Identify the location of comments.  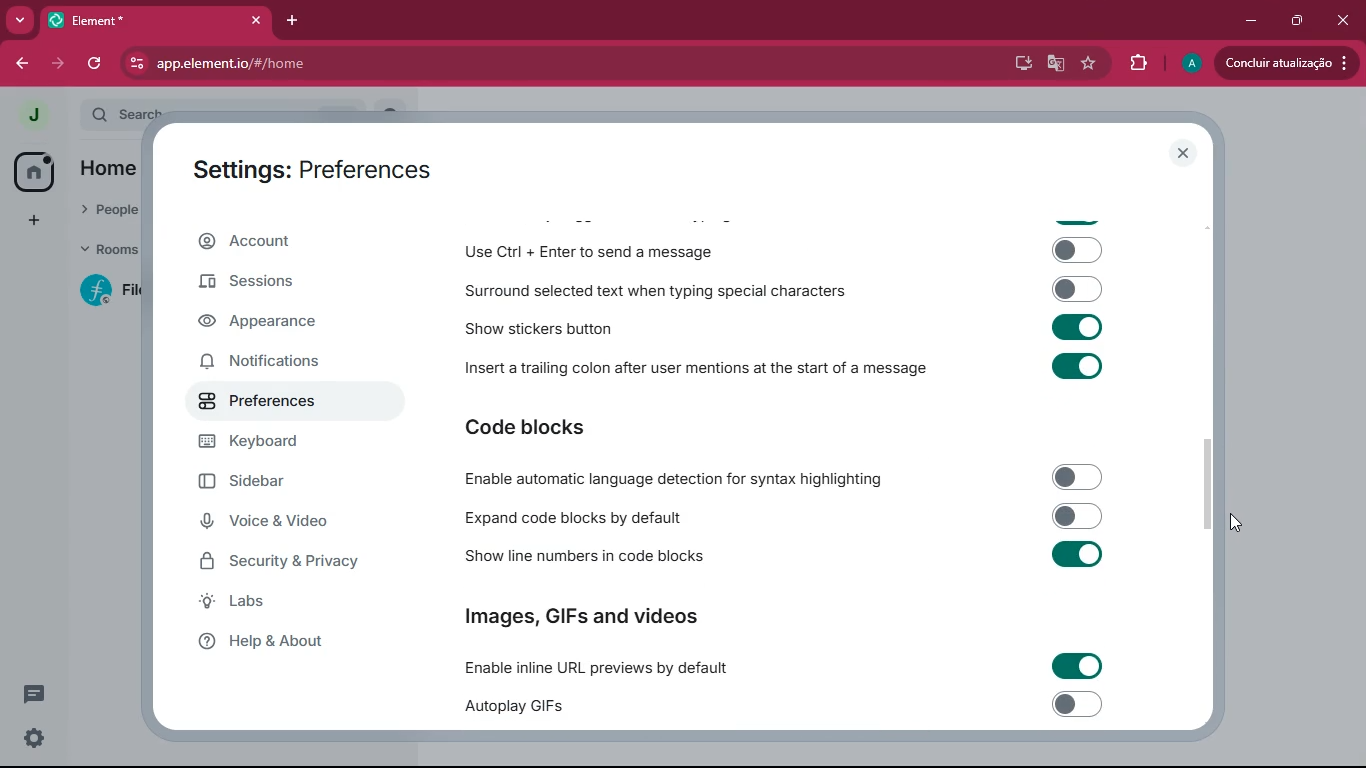
(34, 693).